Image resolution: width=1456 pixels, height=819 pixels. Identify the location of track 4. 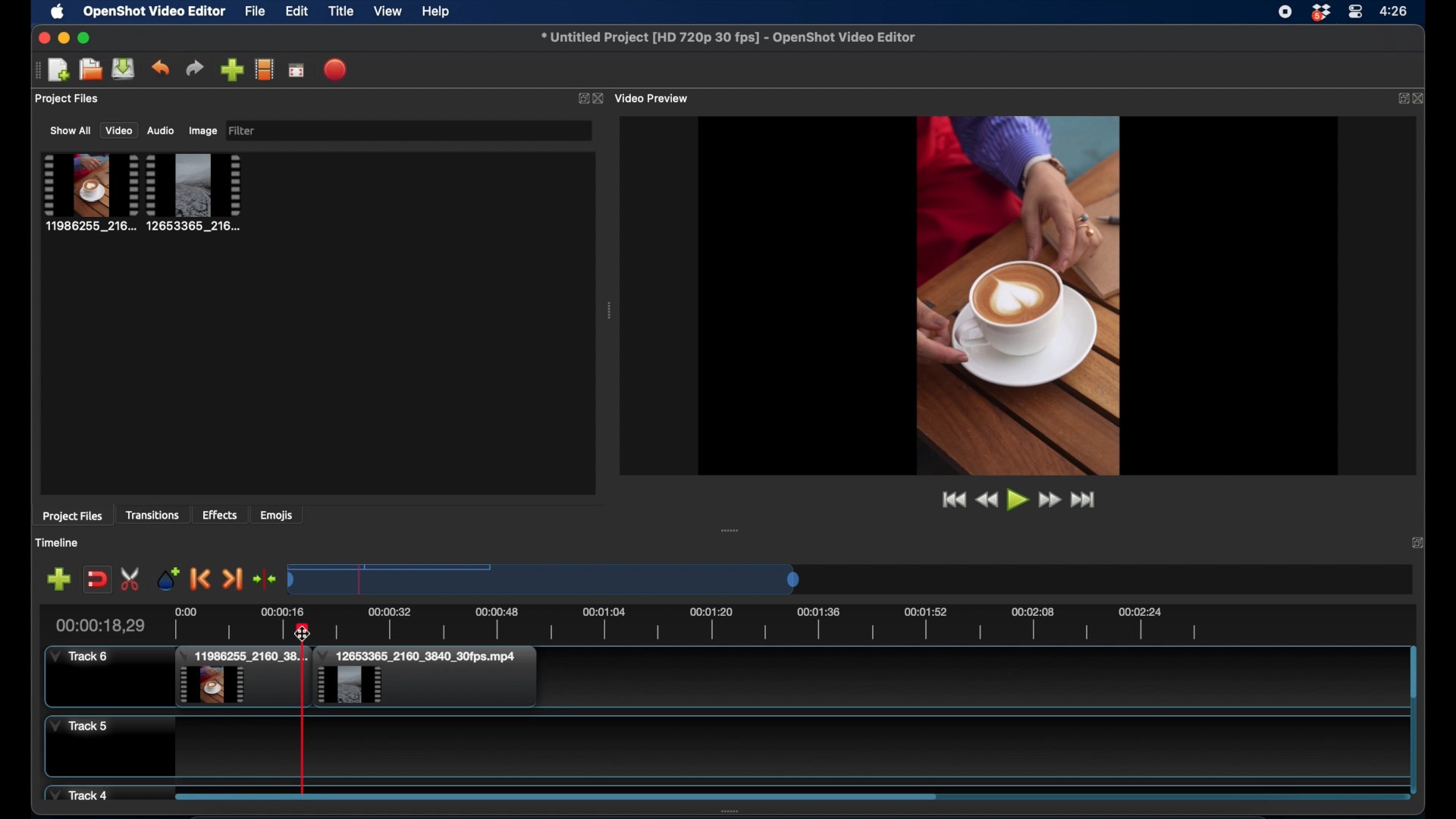
(81, 793).